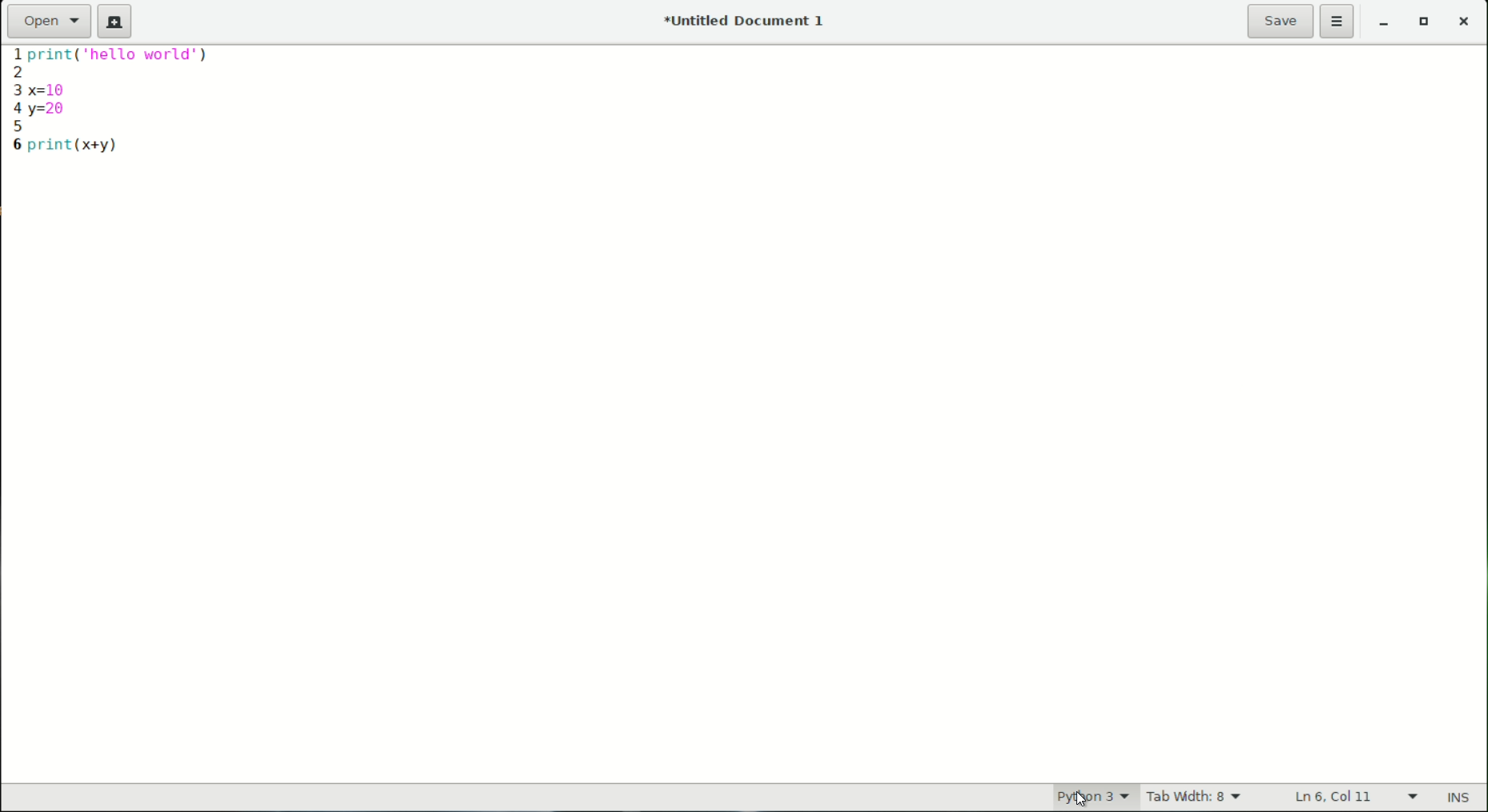 The width and height of the screenshot is (1488, 812). What do you see at coordinates (50, 20) in the screenshot?
I see `open` at bounding box center [50, 20].